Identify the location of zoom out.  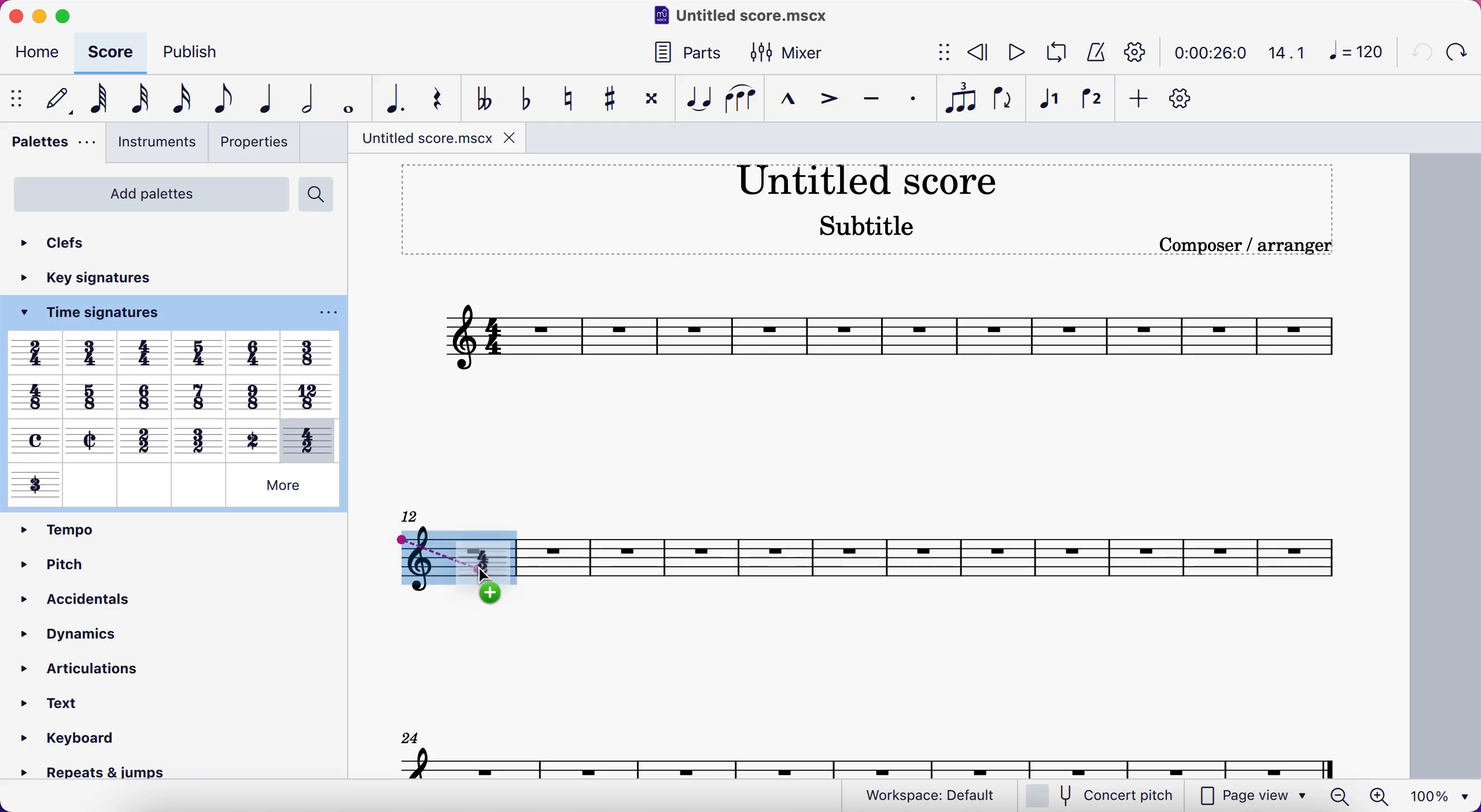
(1342, 796).